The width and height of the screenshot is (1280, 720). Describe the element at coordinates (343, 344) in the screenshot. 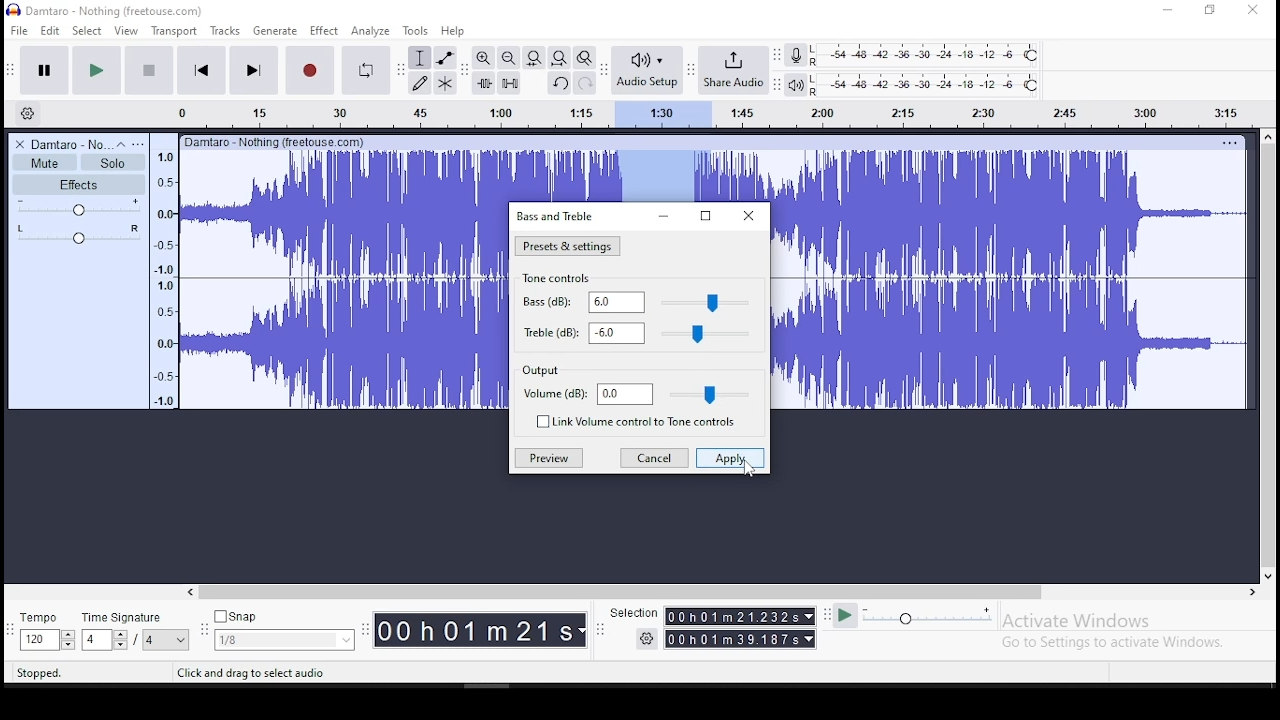

I see `audio track` at that location.